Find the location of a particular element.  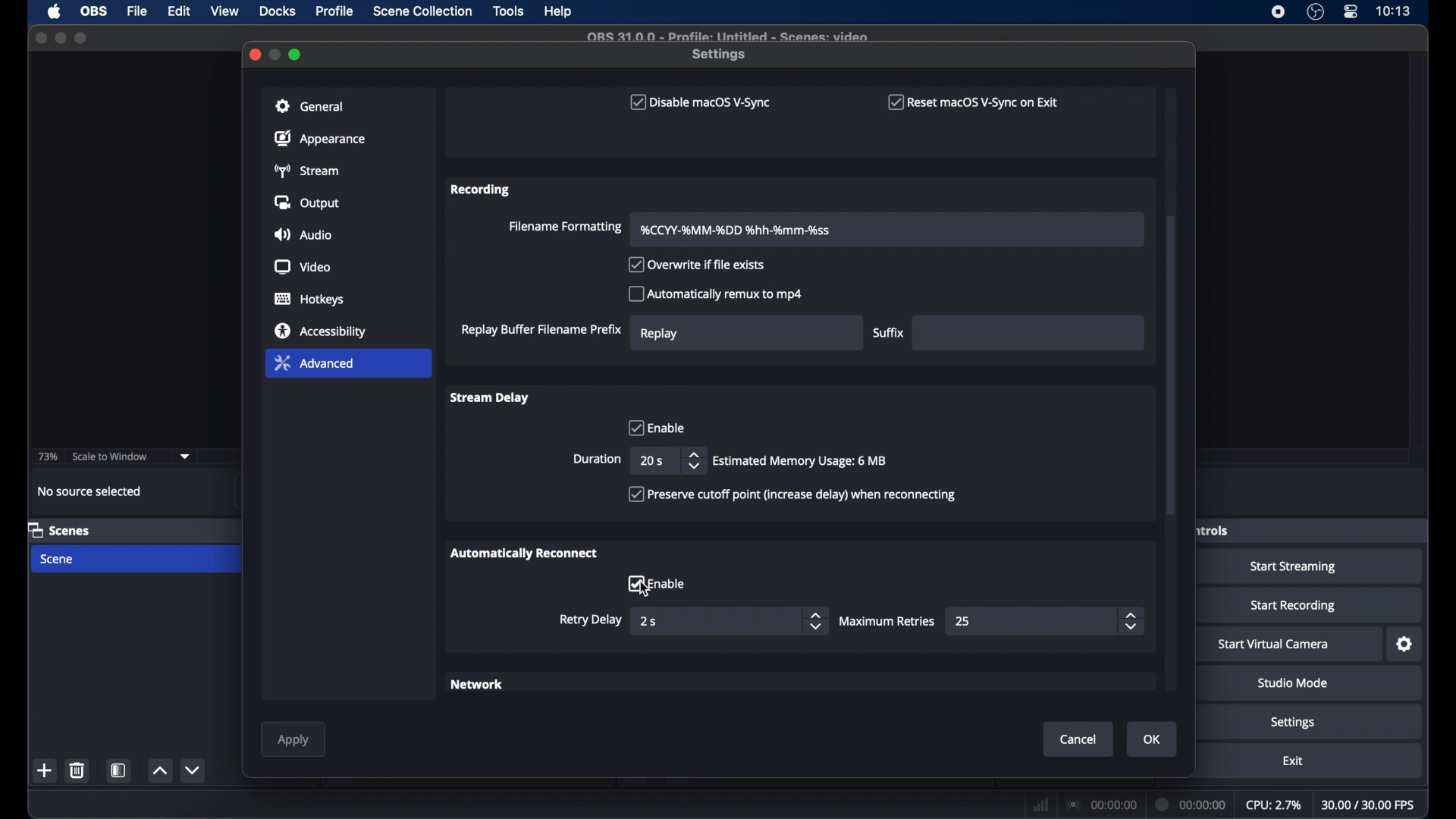

scenes is located at coordinates (59, 529).